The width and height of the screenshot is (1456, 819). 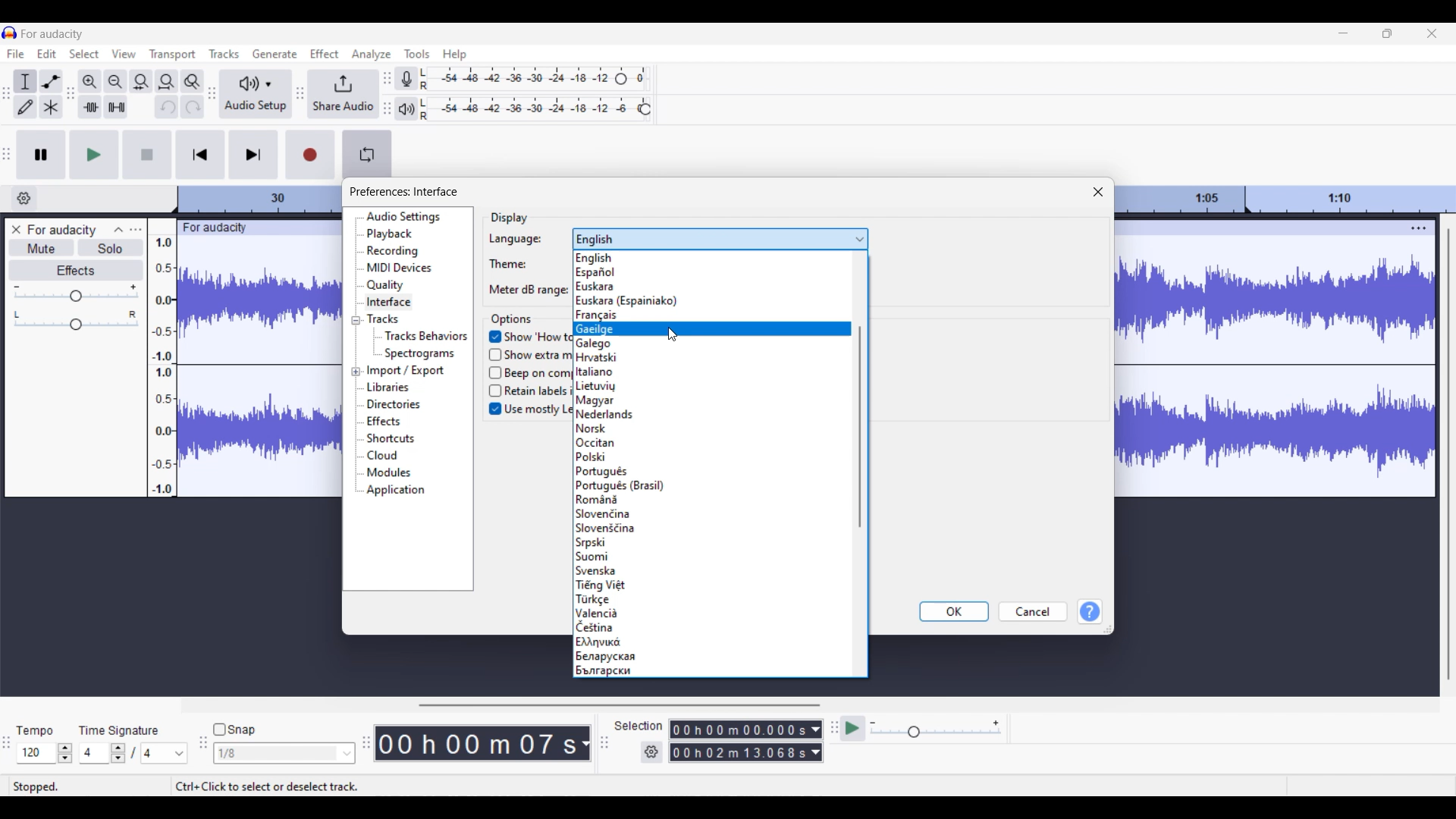 I want to click on Playback meter, so click(x=405, y=108).